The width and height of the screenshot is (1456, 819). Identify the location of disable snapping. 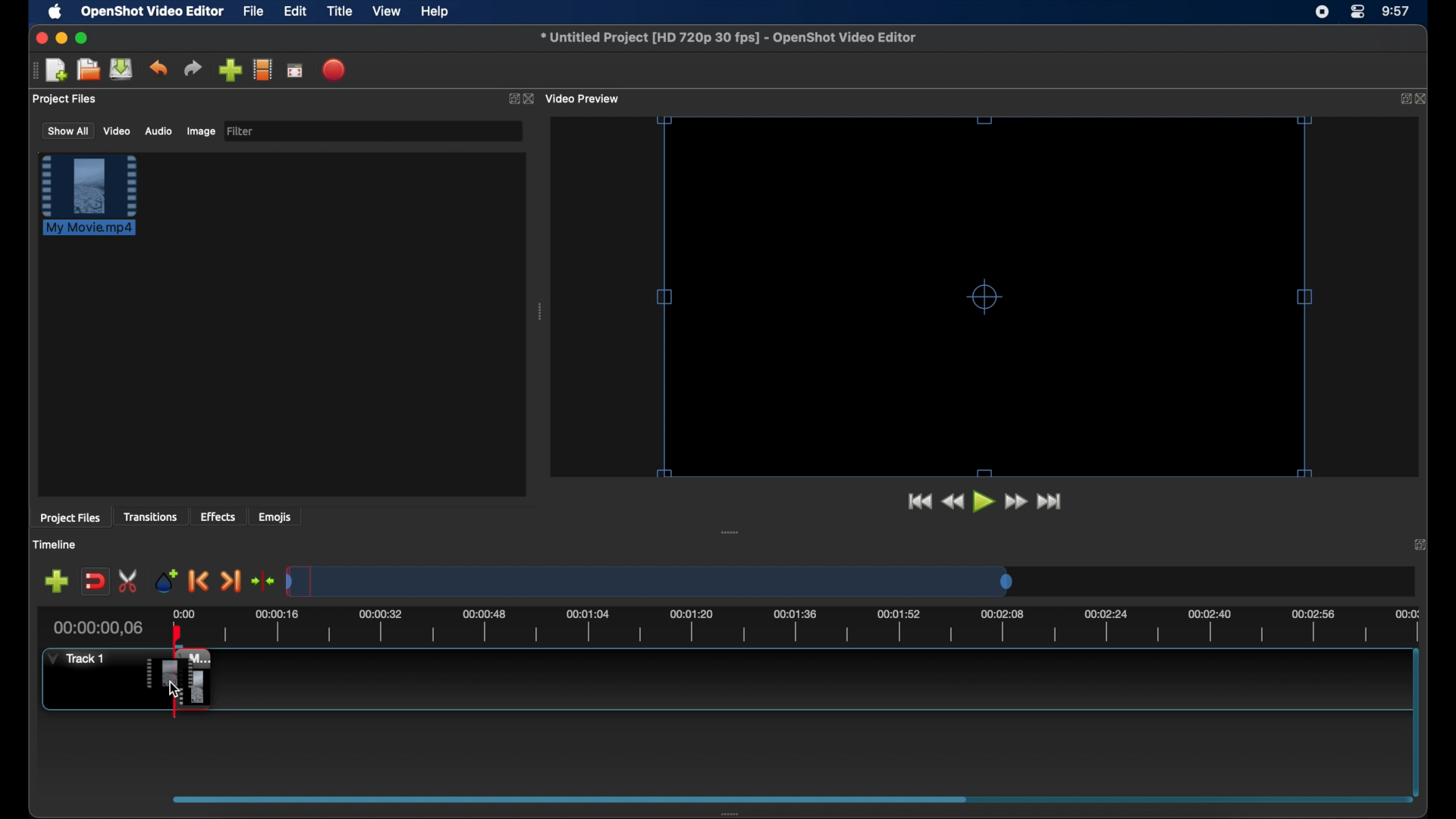
(95, 582).